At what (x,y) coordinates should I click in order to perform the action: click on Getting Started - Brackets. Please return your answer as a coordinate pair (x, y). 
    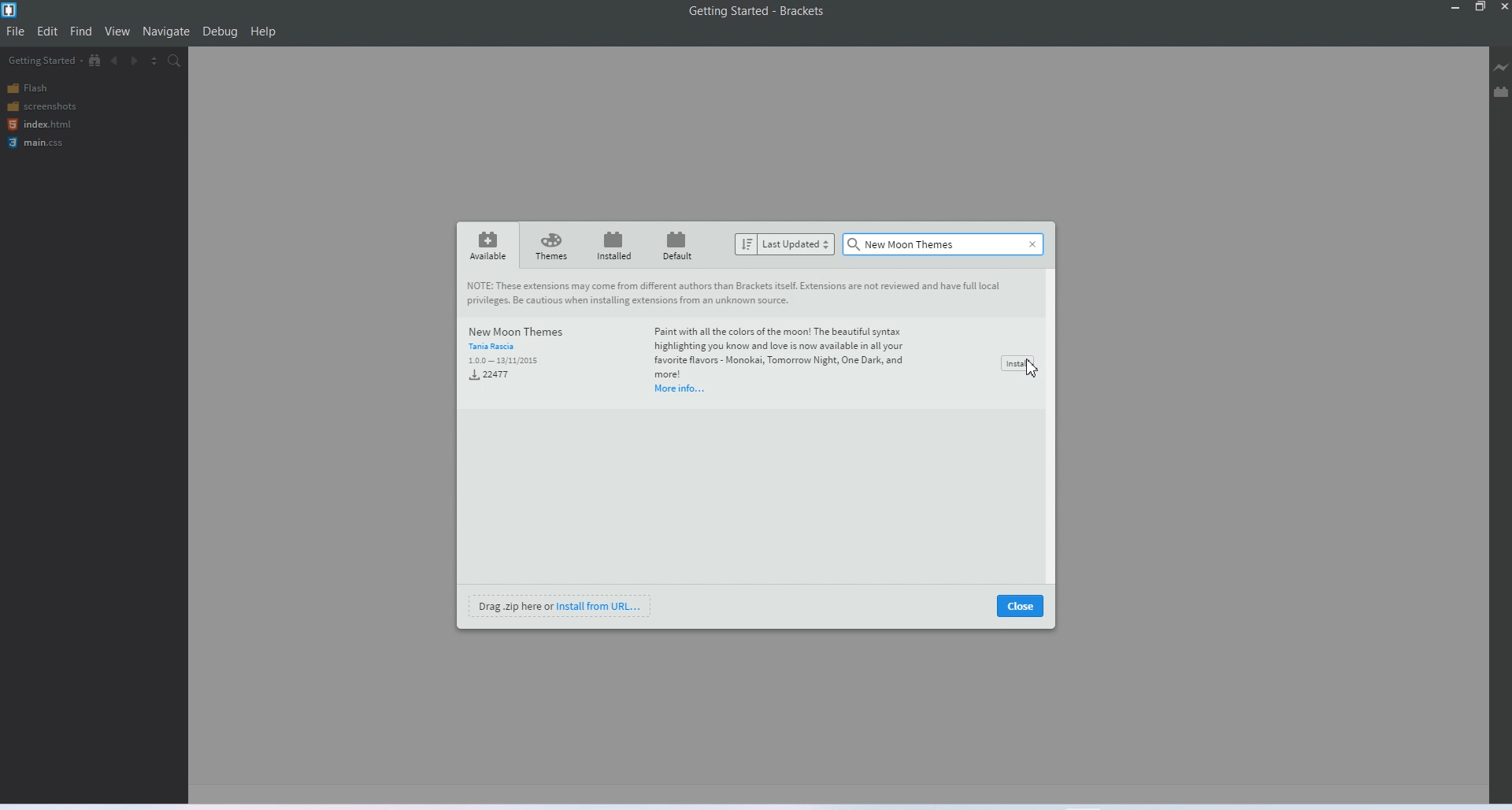
    Looking at the image, I should click on (761, 12).